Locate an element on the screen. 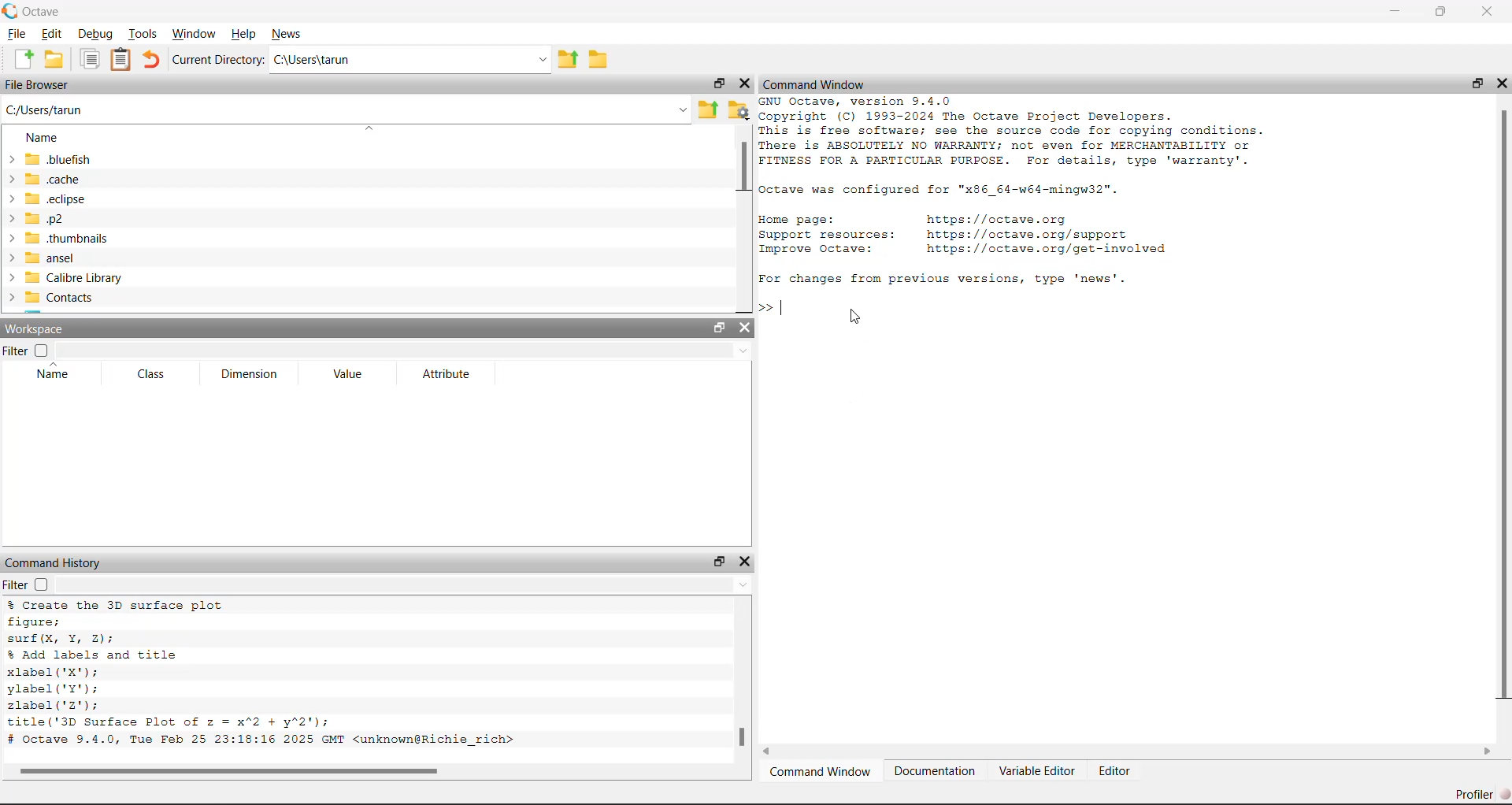 The image size is (1512, 805). C:\Users\tarun  is located at coordinates (412, 58).